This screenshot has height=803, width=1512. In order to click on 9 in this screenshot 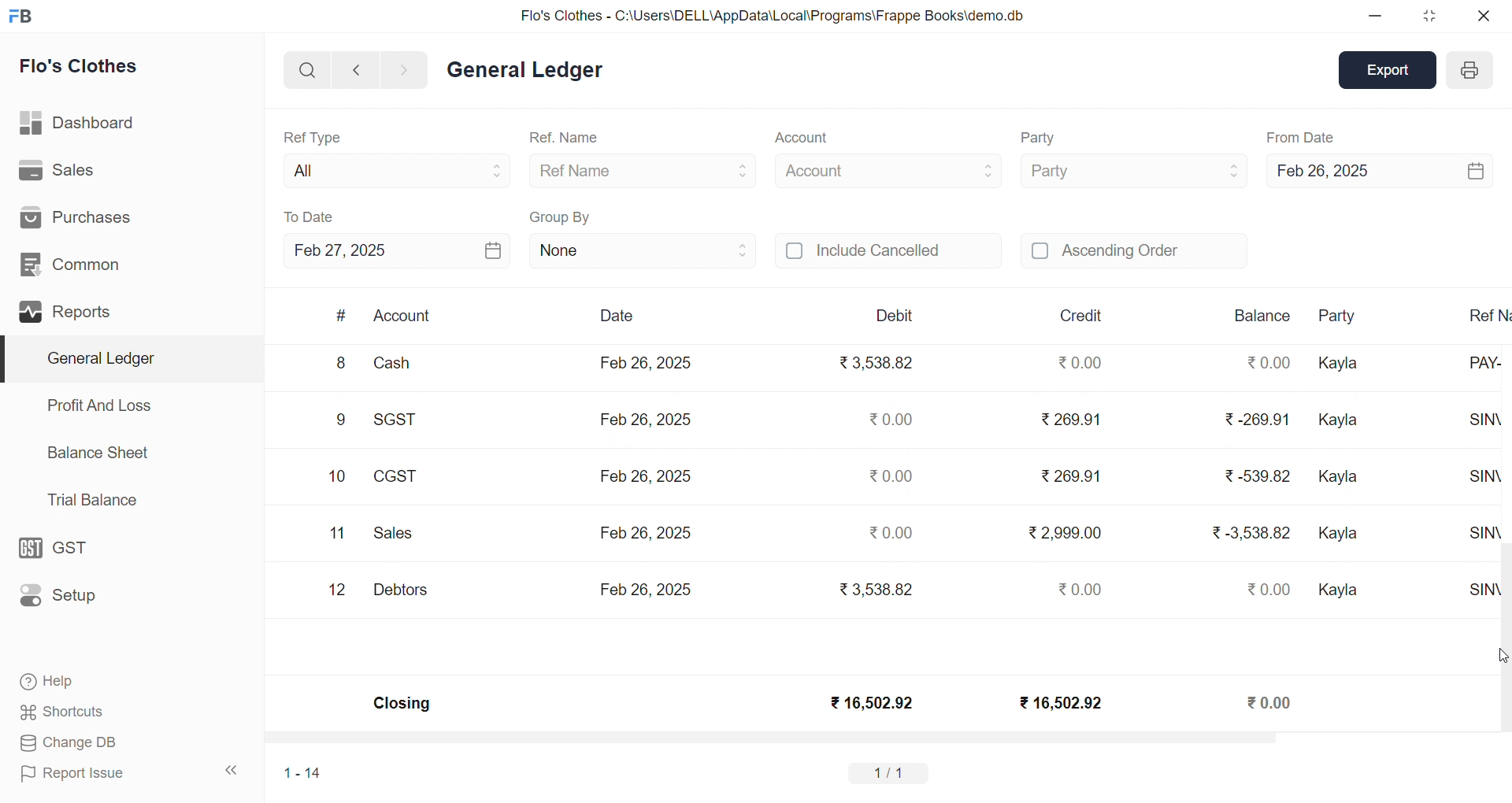, I will do `click(341, 422)`.